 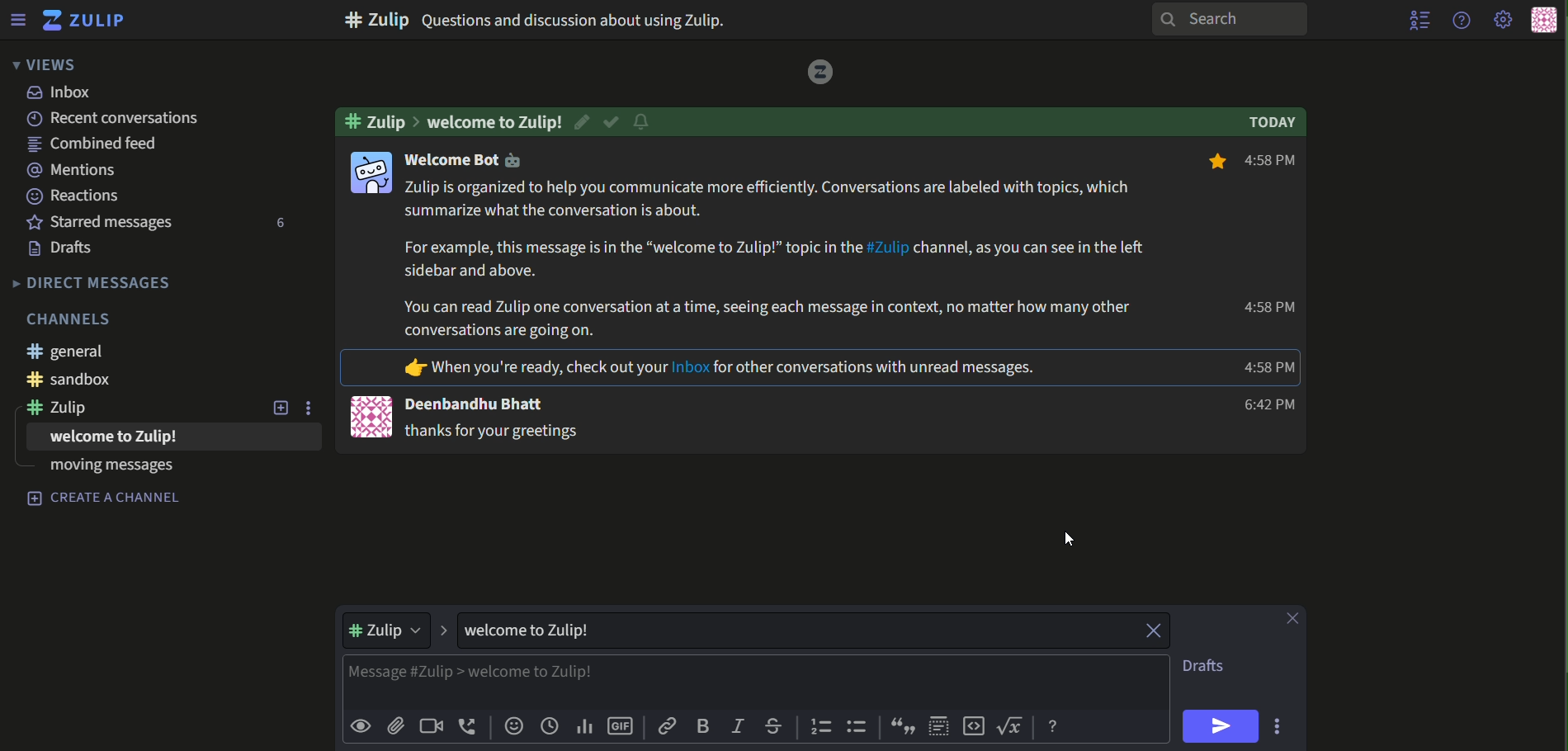 I want to click on text, so click(x=68, y=410).